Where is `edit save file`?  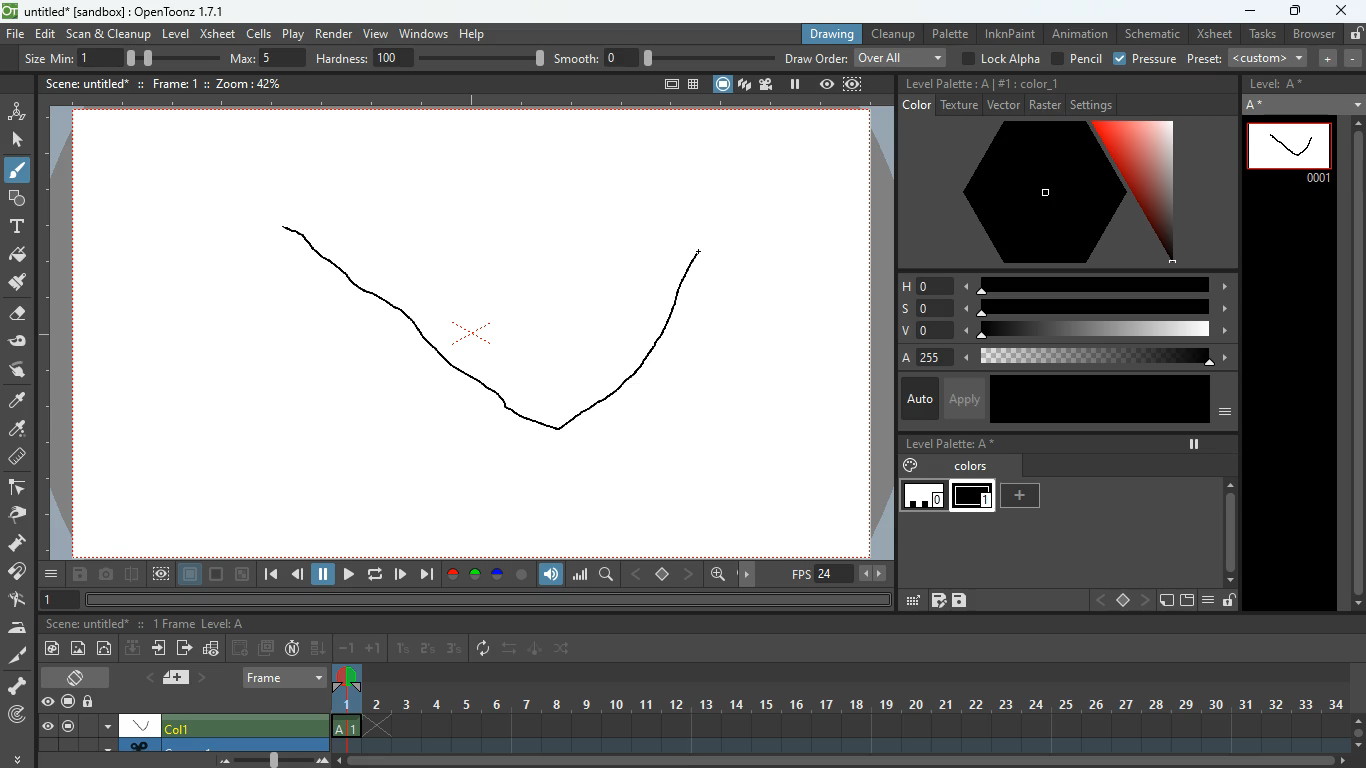 edit save file is located at coordinates (938, 600).